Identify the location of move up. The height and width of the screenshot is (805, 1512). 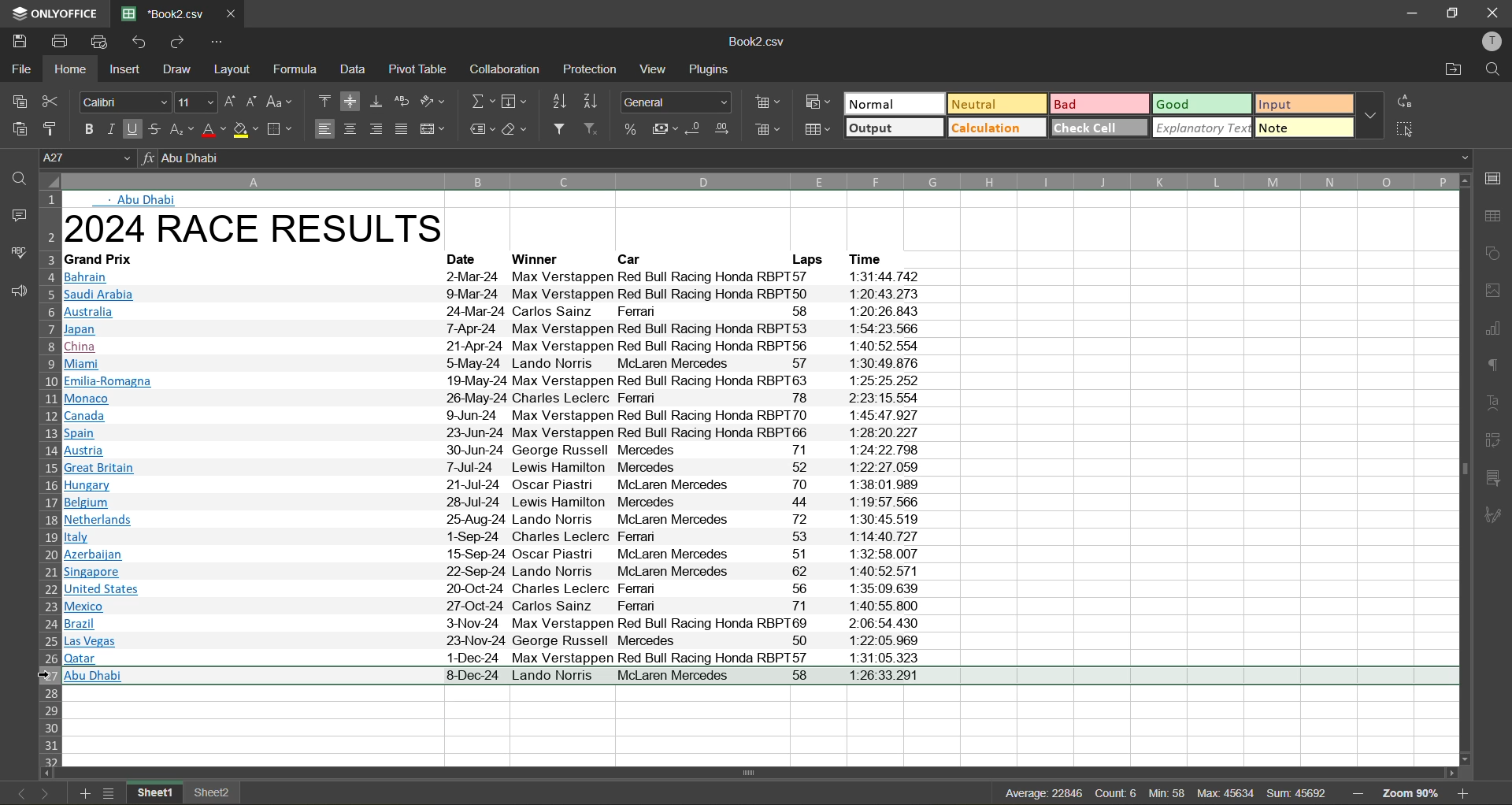
(1463, 181).